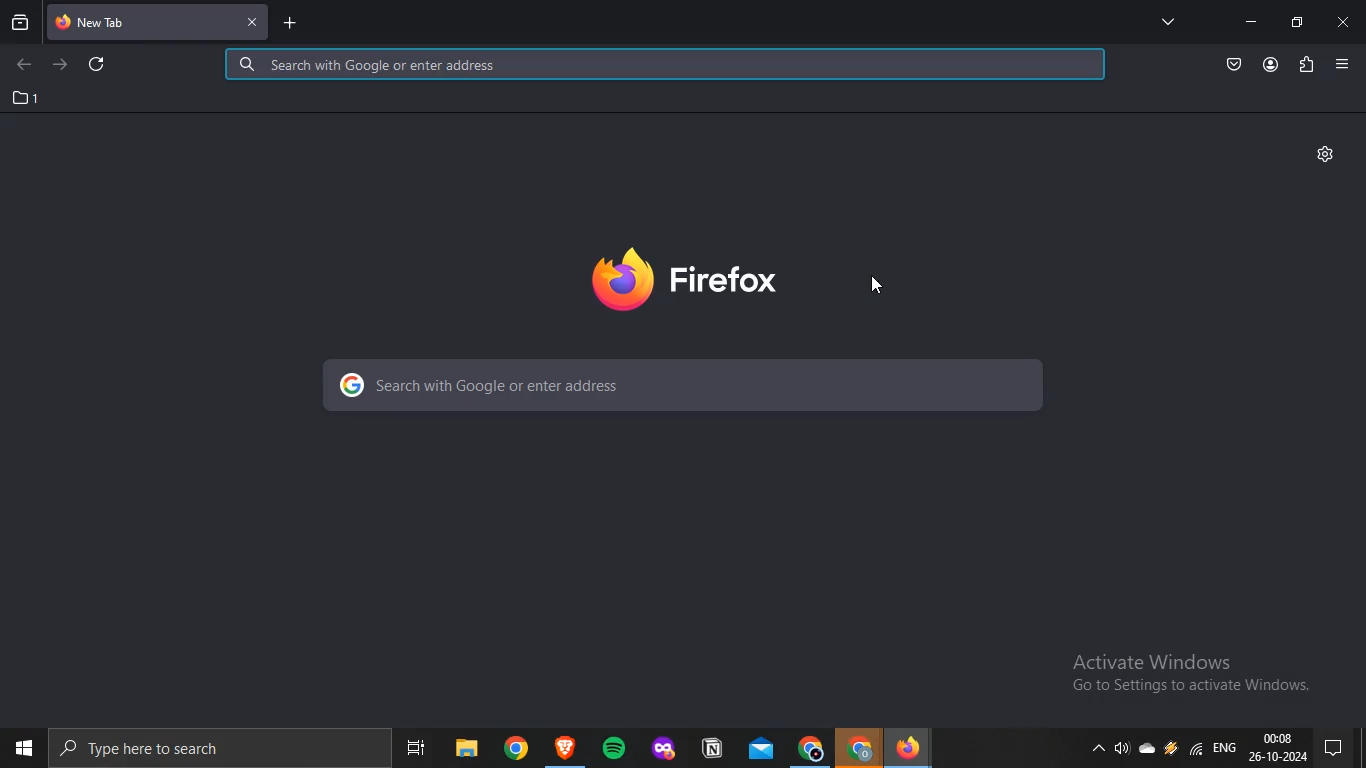  Describe the element at coordinates (1344, 24) in the screenshot. I see `close` at that location.